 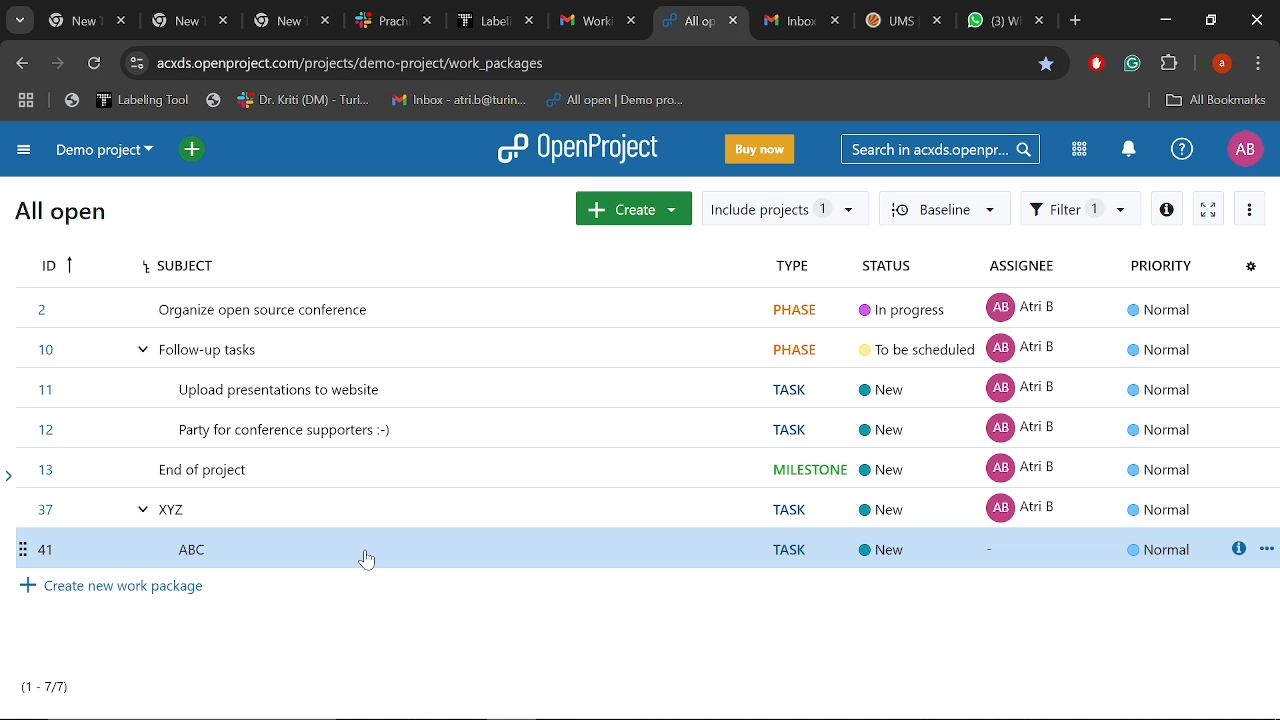 I want to click on Search tabs, so click(x=18, y=21).